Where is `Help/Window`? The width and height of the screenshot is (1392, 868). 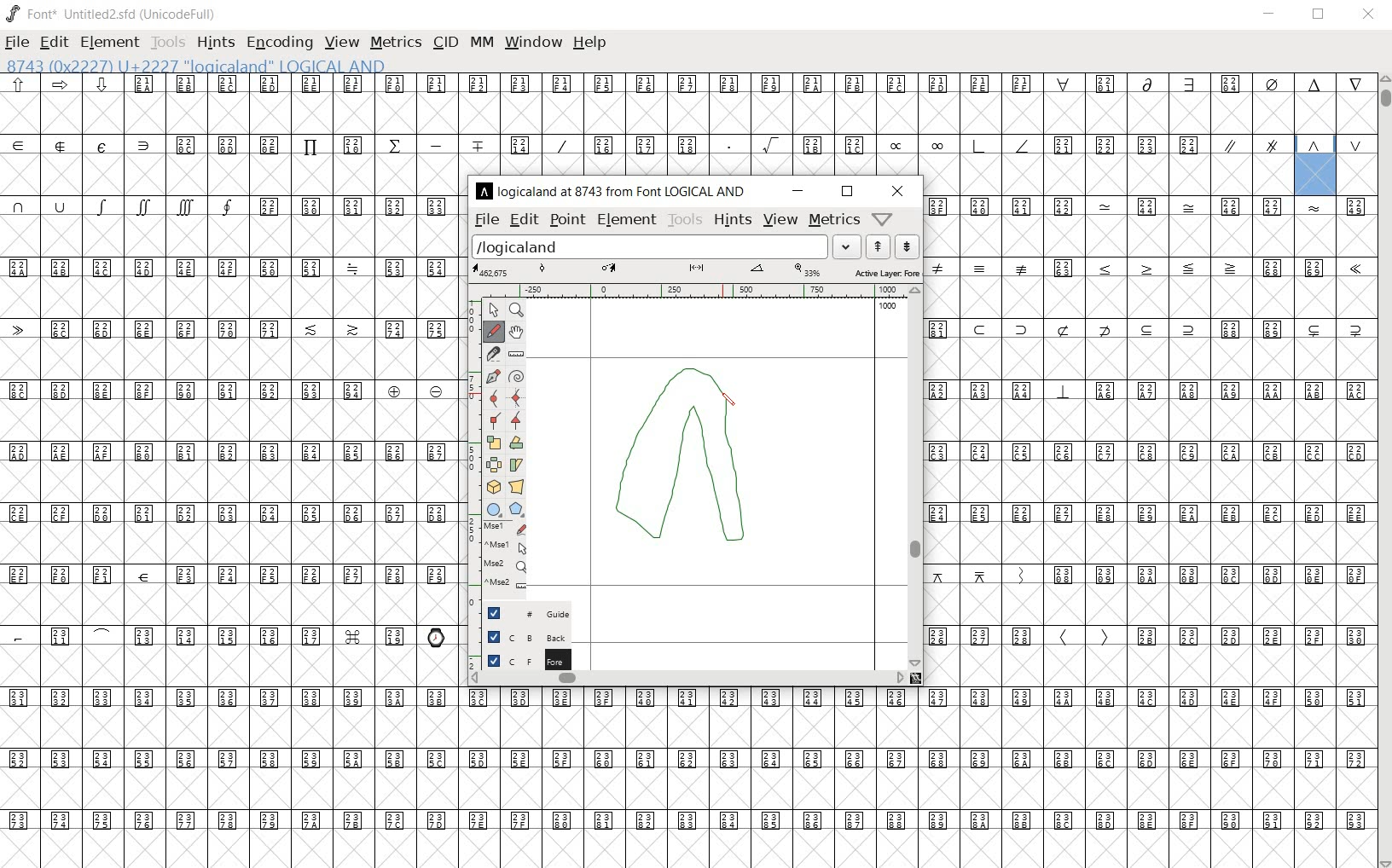
Help/Window is located at coordinates (884, 218).